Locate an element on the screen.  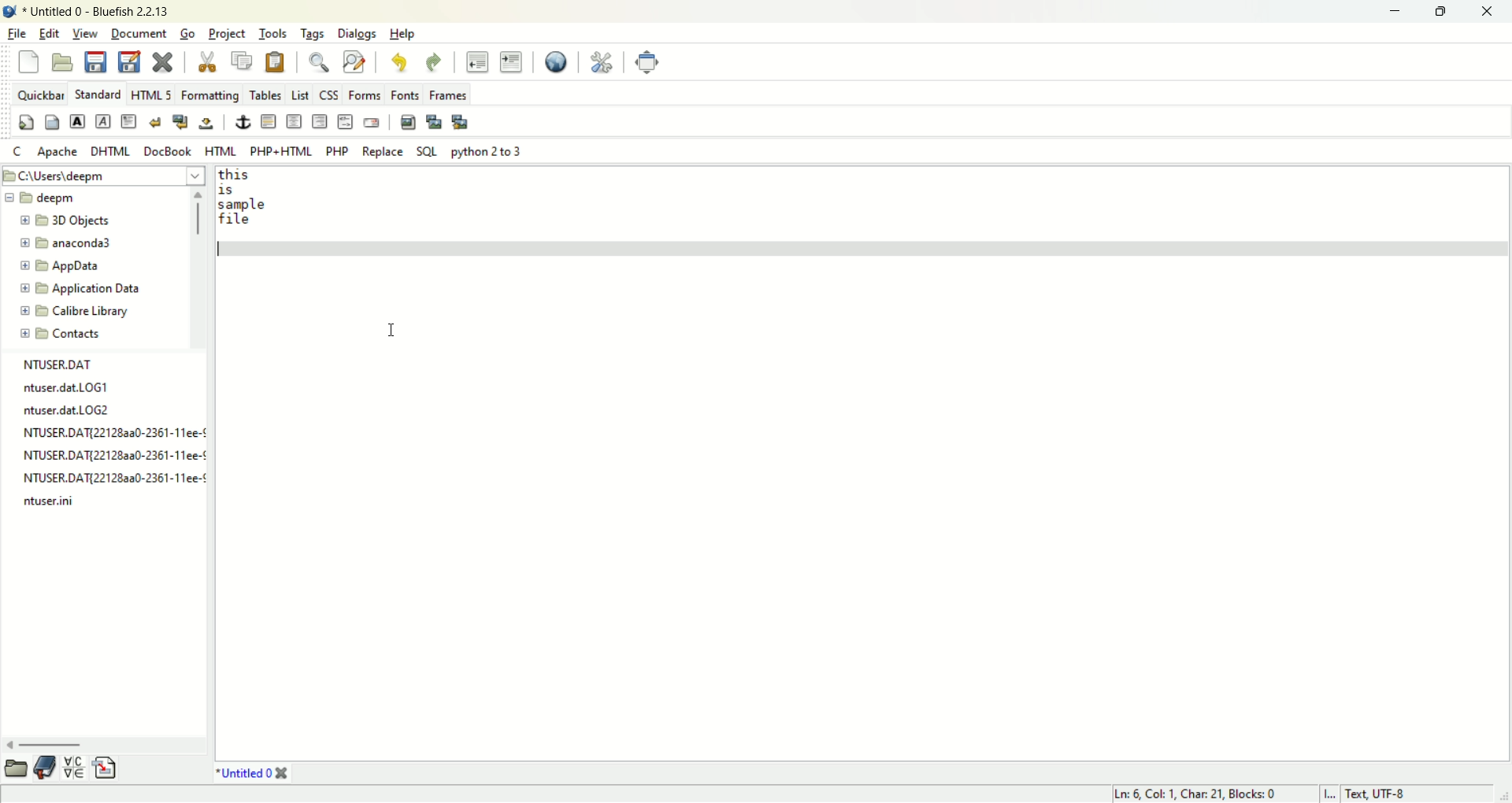
indent is located at coordinates (510, 62).